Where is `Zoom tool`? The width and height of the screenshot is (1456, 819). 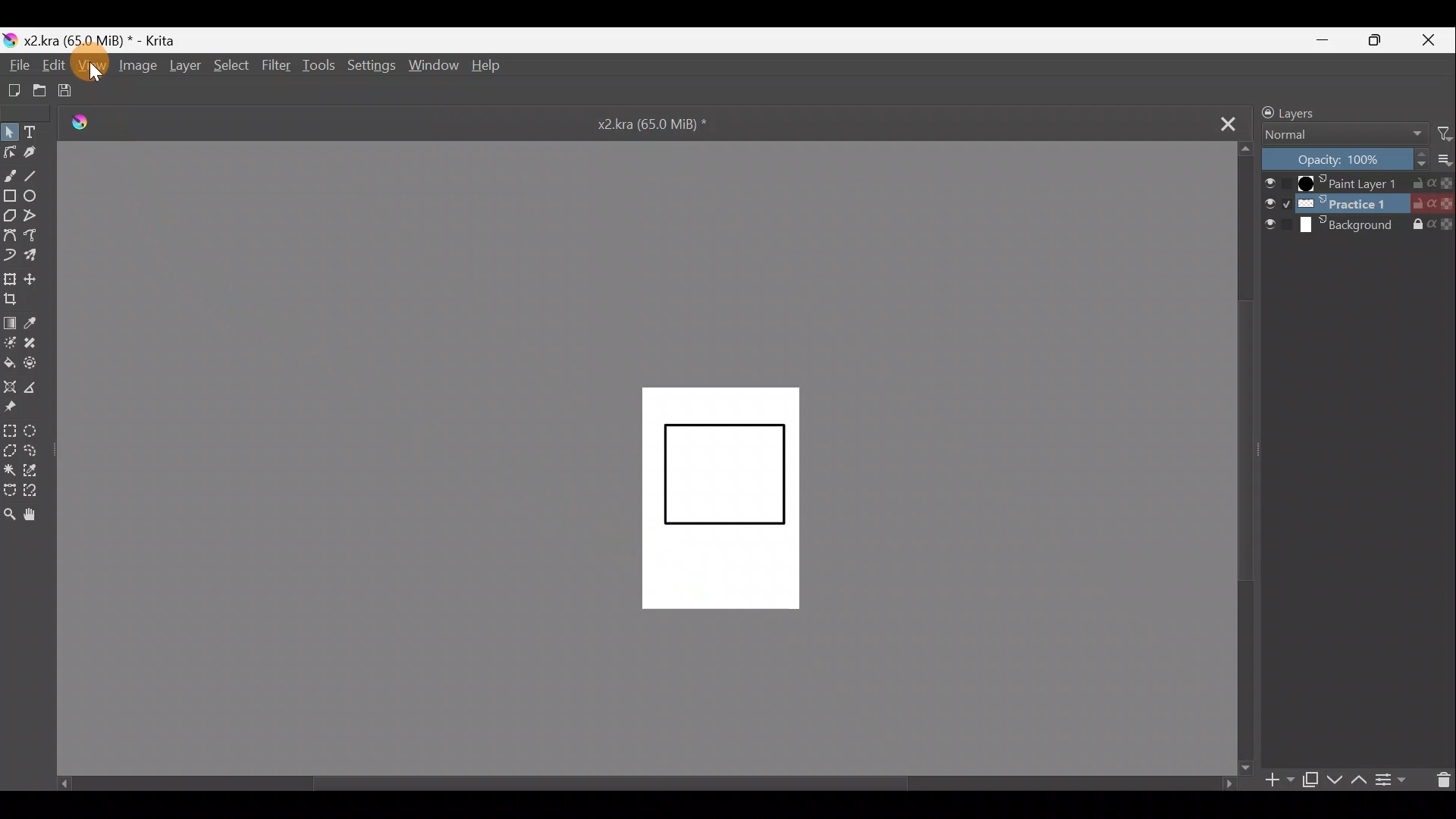
Zoom tool is located at coordinates (9, 516).